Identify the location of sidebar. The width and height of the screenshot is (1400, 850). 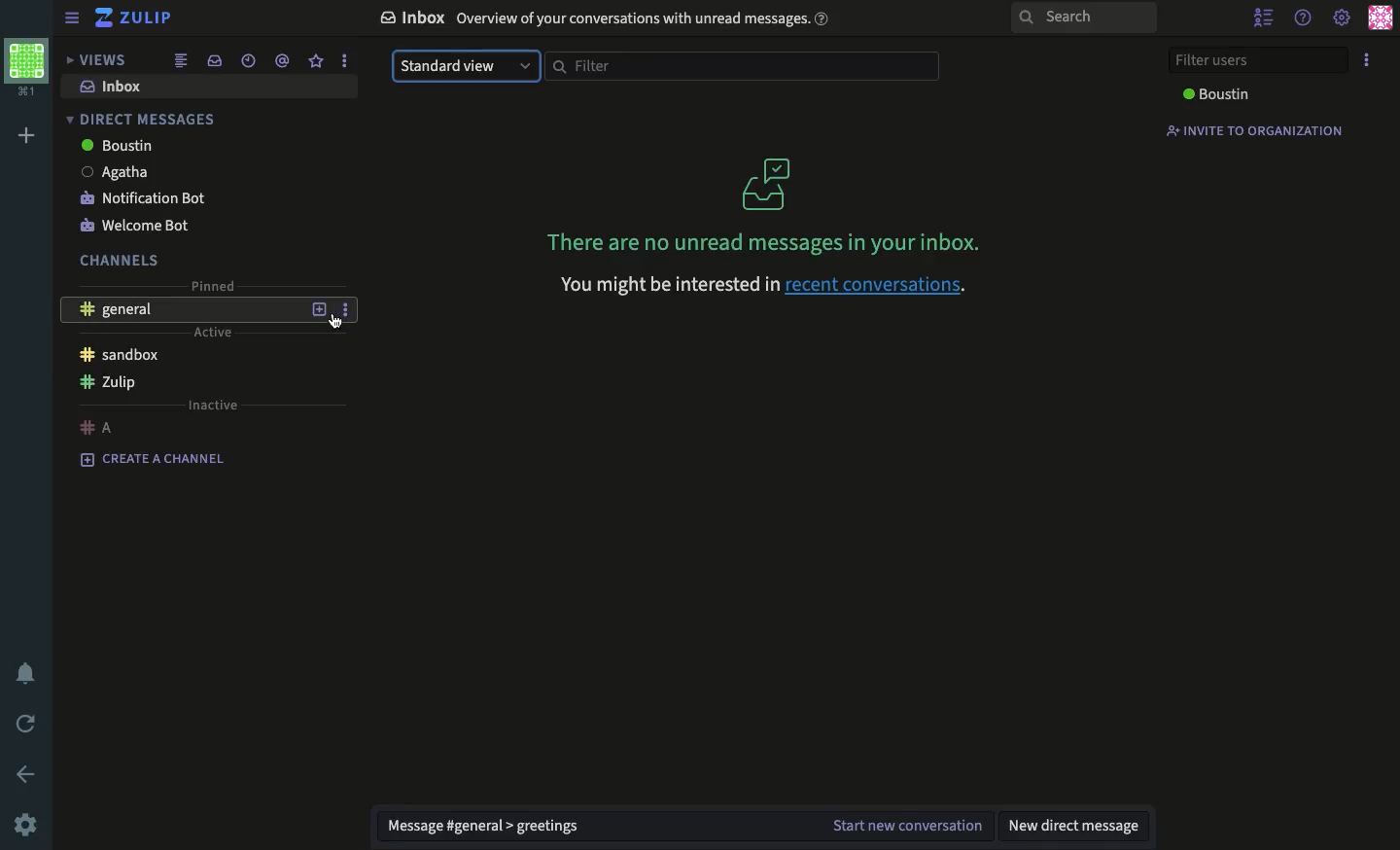
(68, 18).